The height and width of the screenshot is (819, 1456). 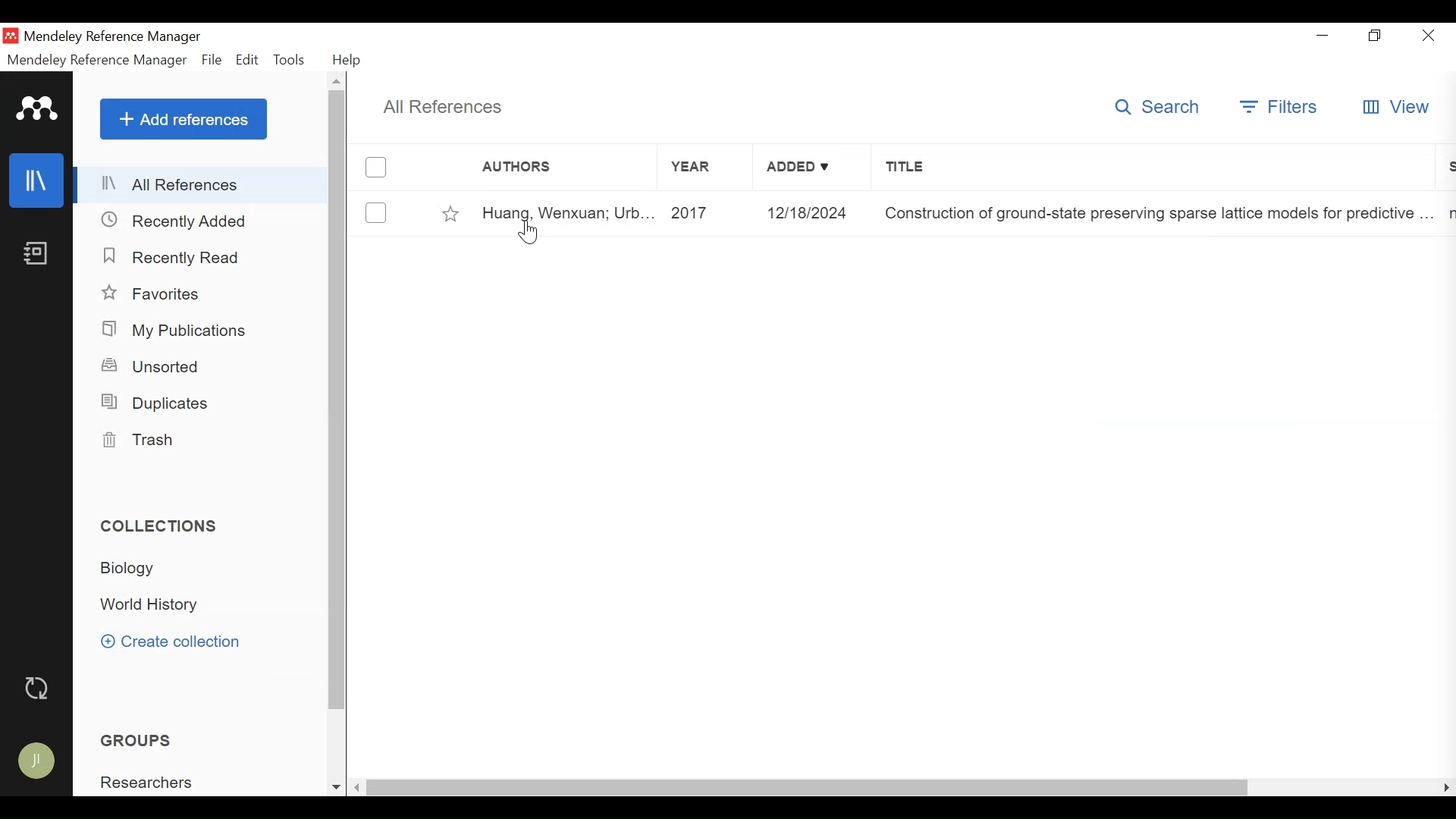 What do you see at coordinates (287, 60) in the screenshot?
I see `Tools` at bounding box center [287, 60].